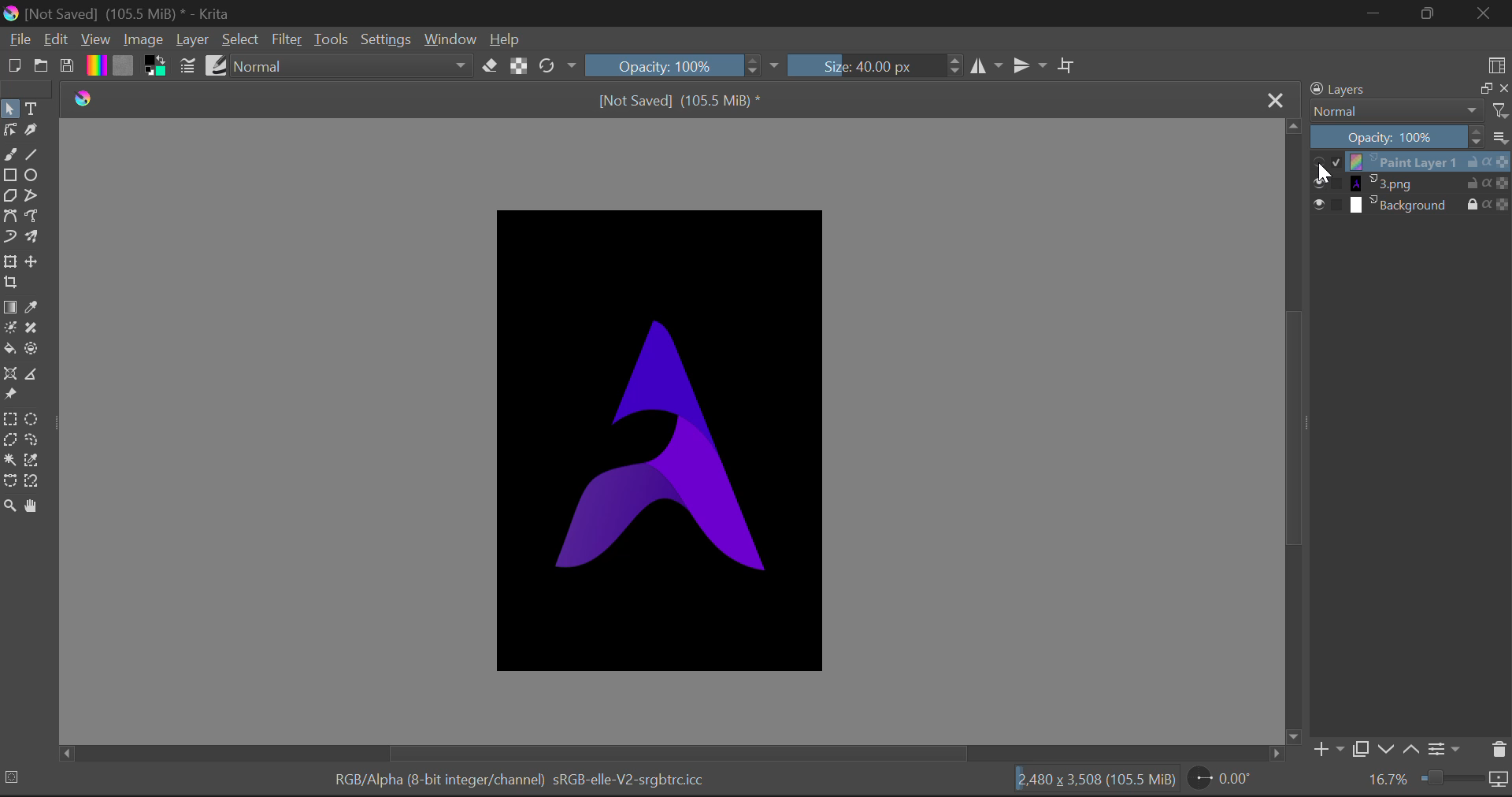 This screenshot has height=797, width=1512. I want to click on Polygon Selection, so click(10, 440).